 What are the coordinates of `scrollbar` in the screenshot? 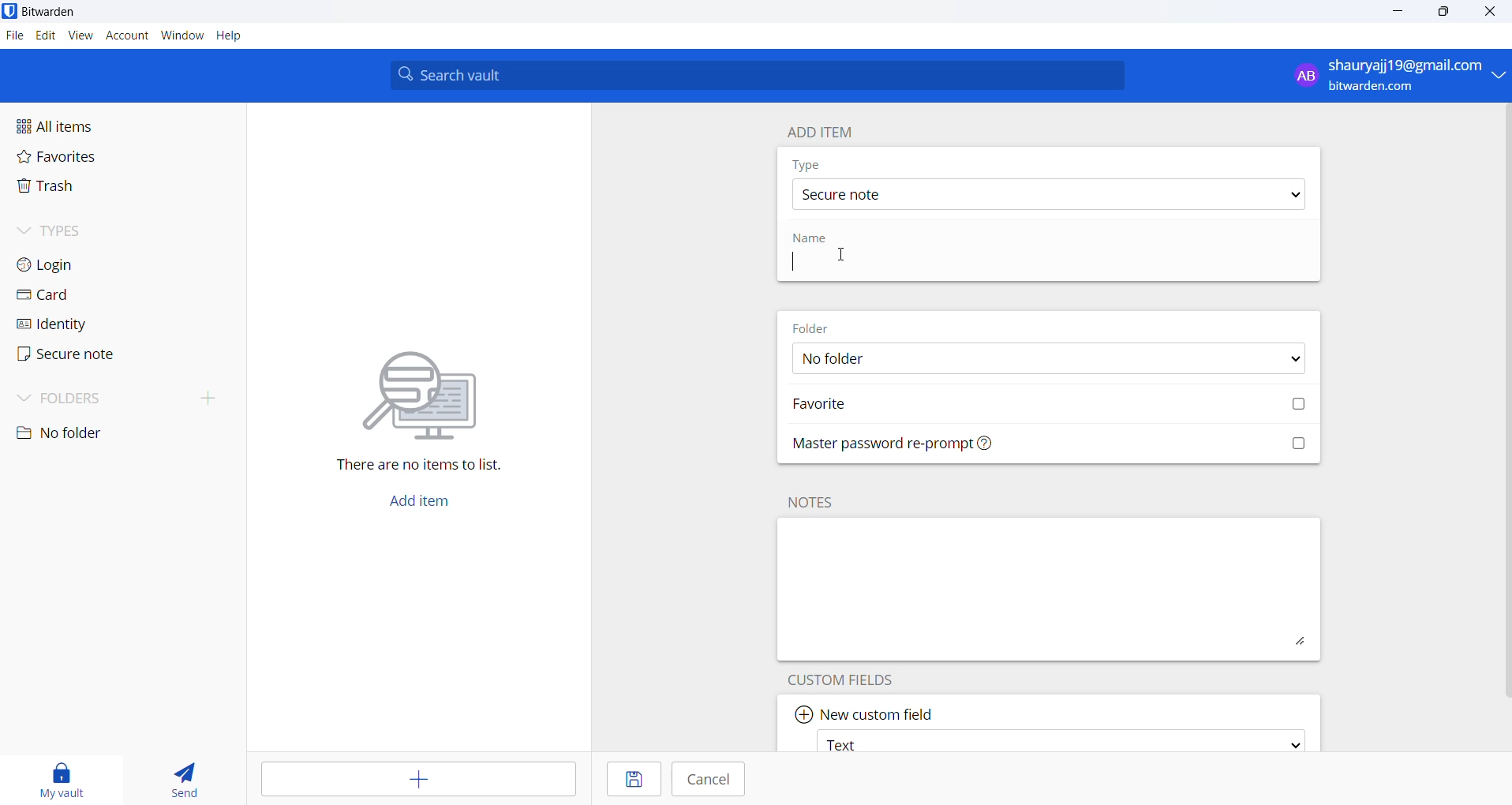 It's located at (1507, 402).